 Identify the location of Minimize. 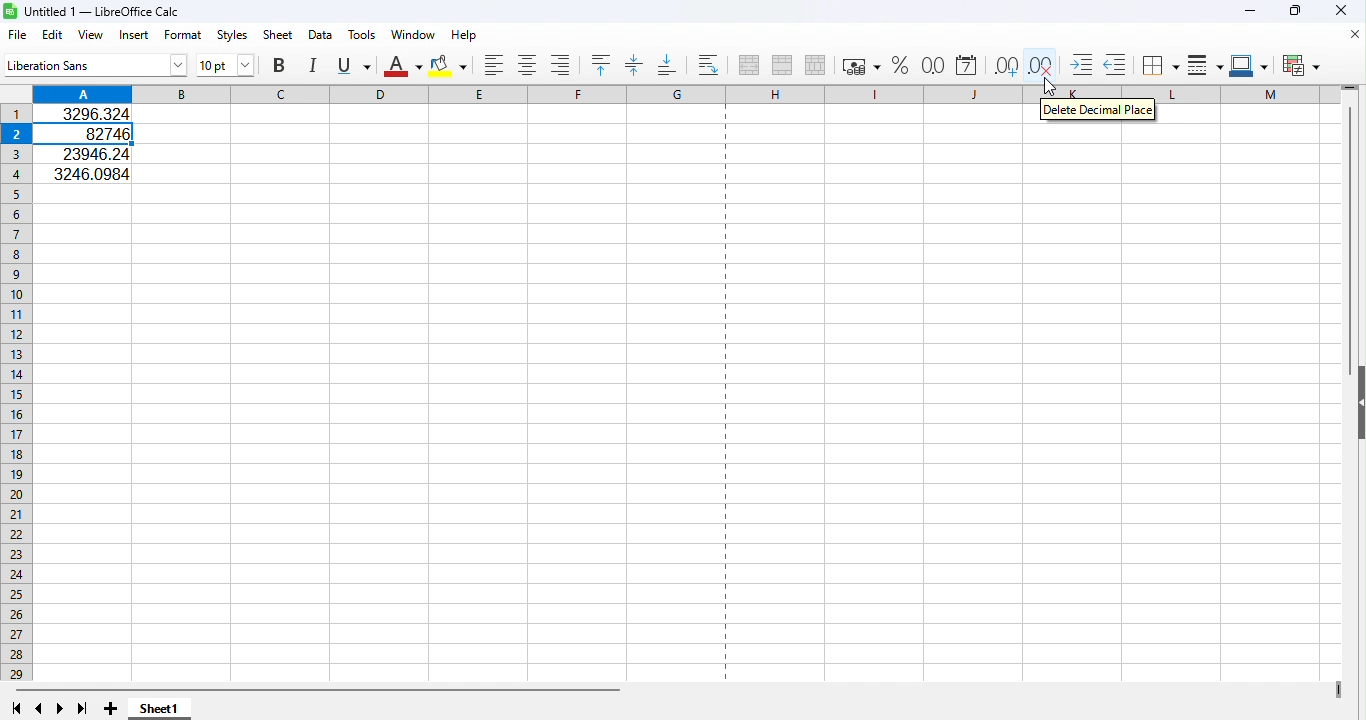
(1252, 11).